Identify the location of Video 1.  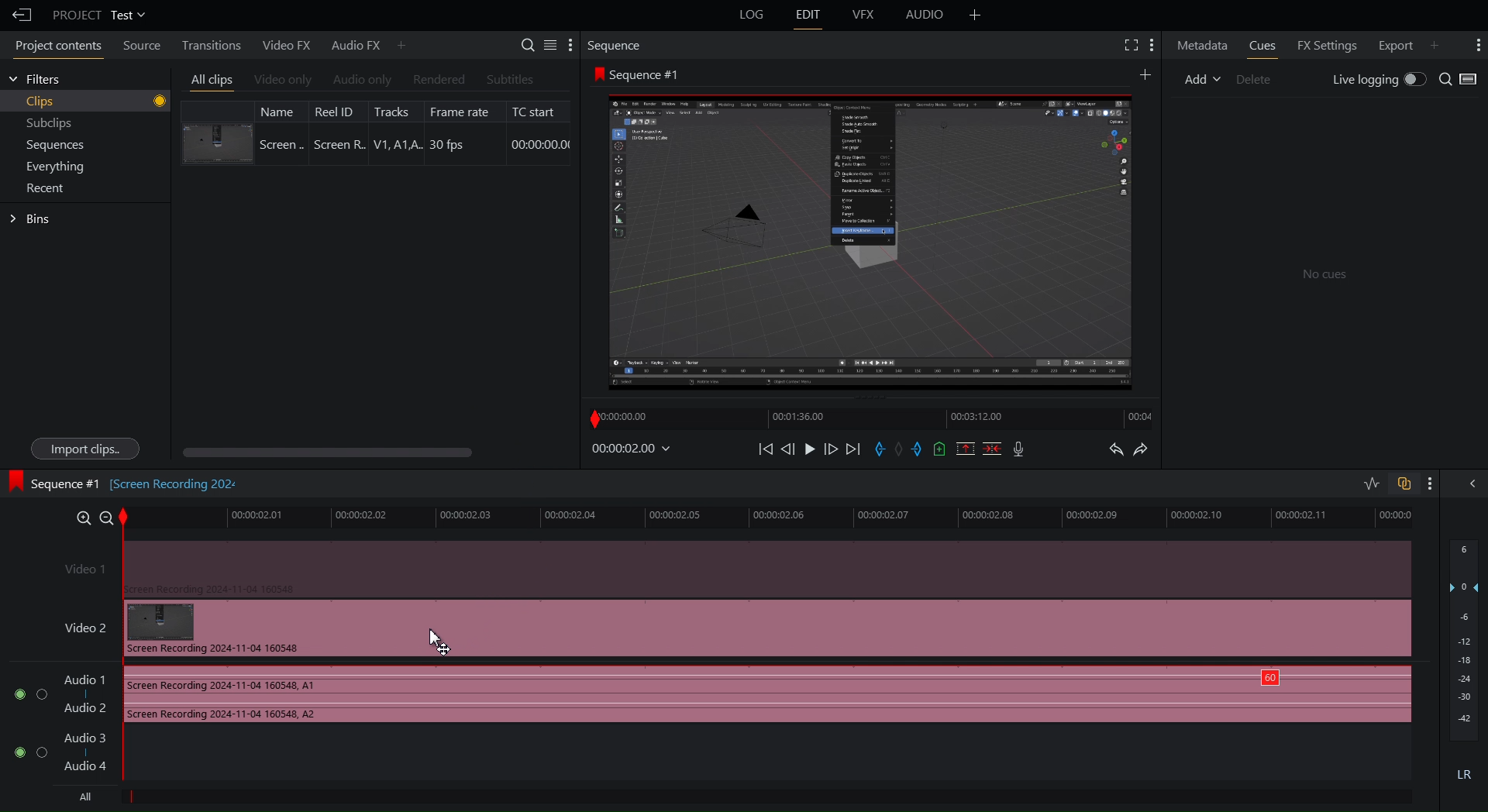
(730, 567).